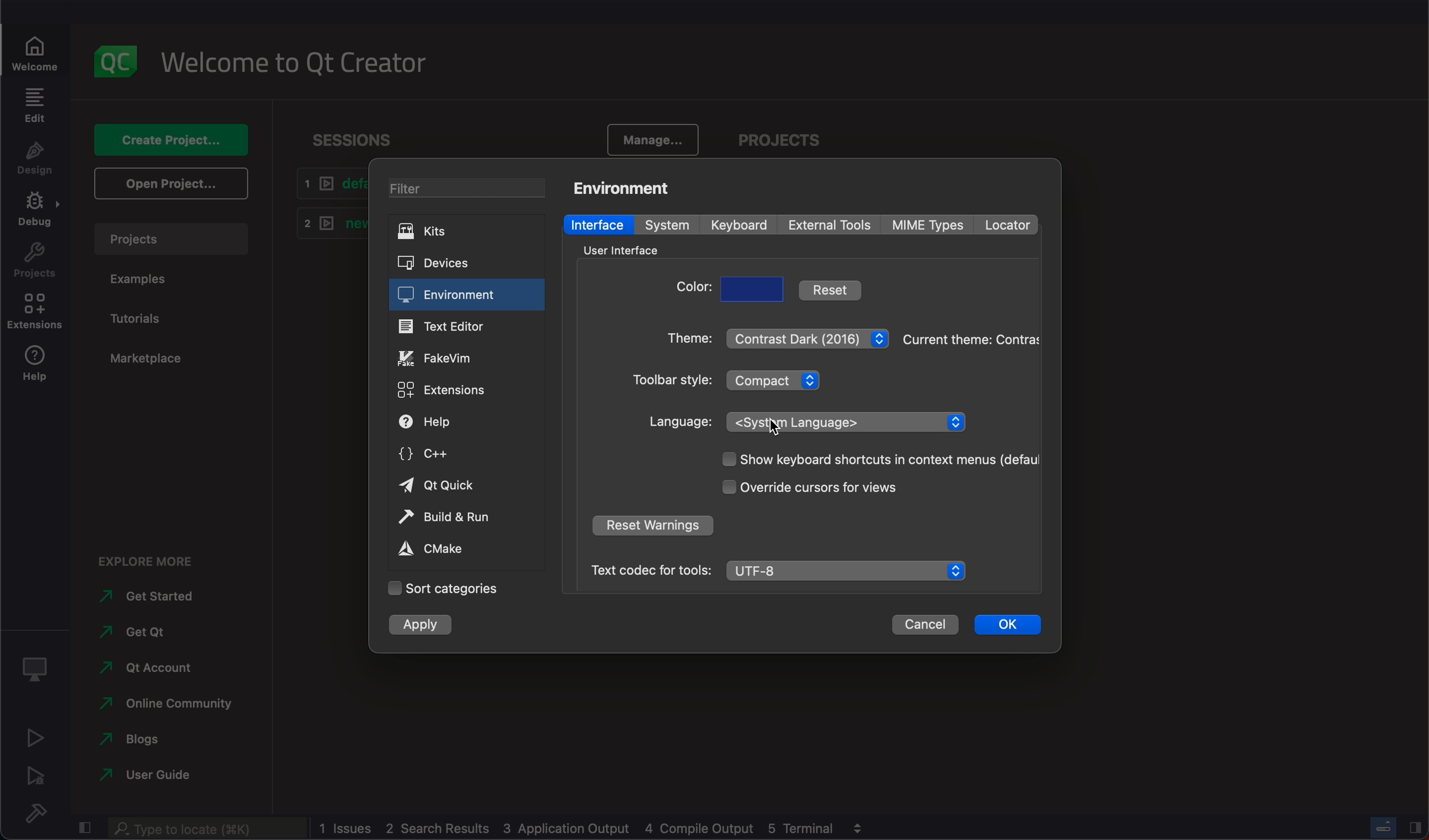  Describe the element at coordinates (297, 64) in the screenshot. I see `welcome to qt creator` at that location.